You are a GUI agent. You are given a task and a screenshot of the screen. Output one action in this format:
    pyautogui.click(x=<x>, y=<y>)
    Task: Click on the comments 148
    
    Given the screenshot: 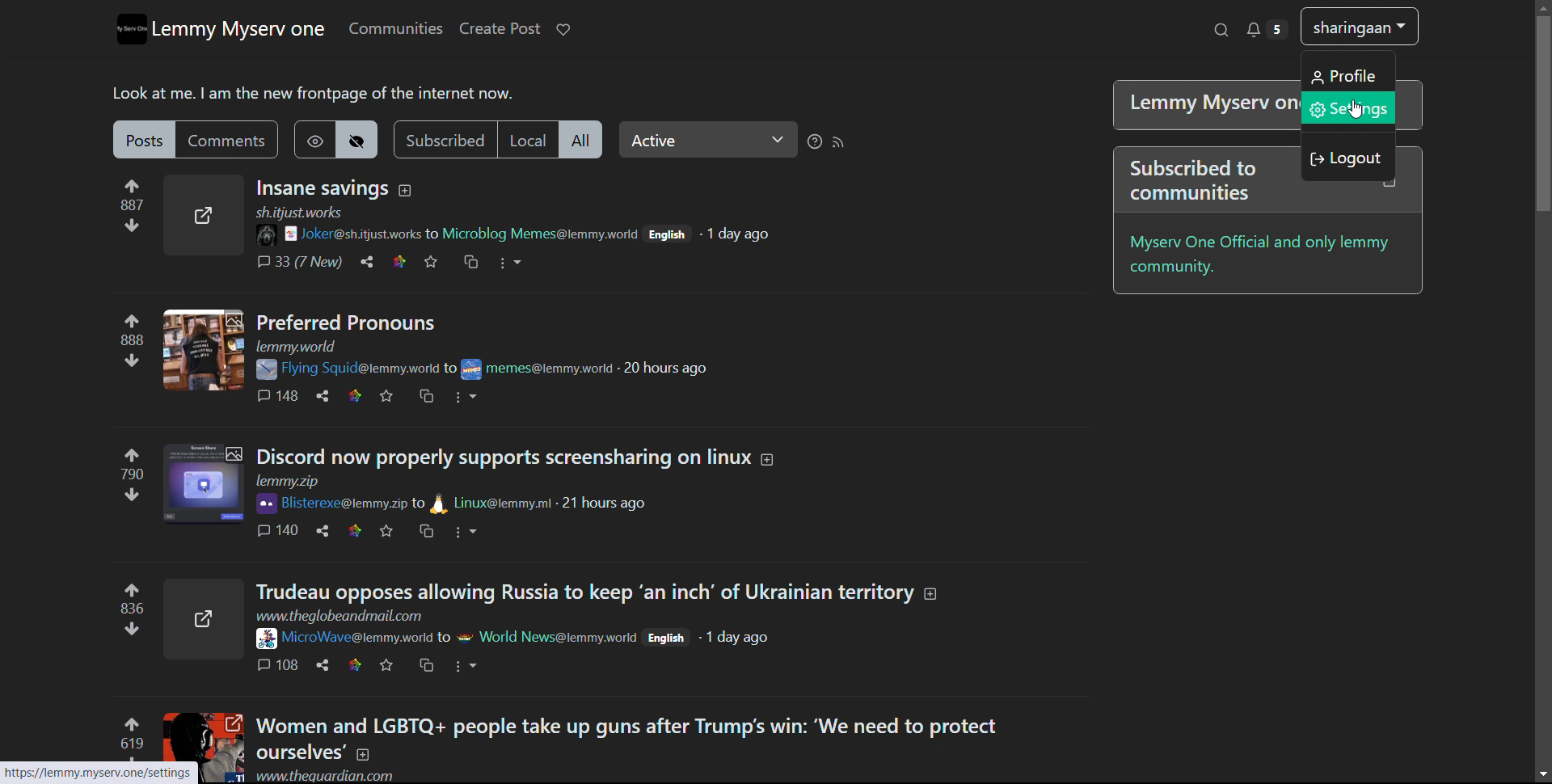 What is the action you would take?
    pyautogui.click(x=277, y=396)
    